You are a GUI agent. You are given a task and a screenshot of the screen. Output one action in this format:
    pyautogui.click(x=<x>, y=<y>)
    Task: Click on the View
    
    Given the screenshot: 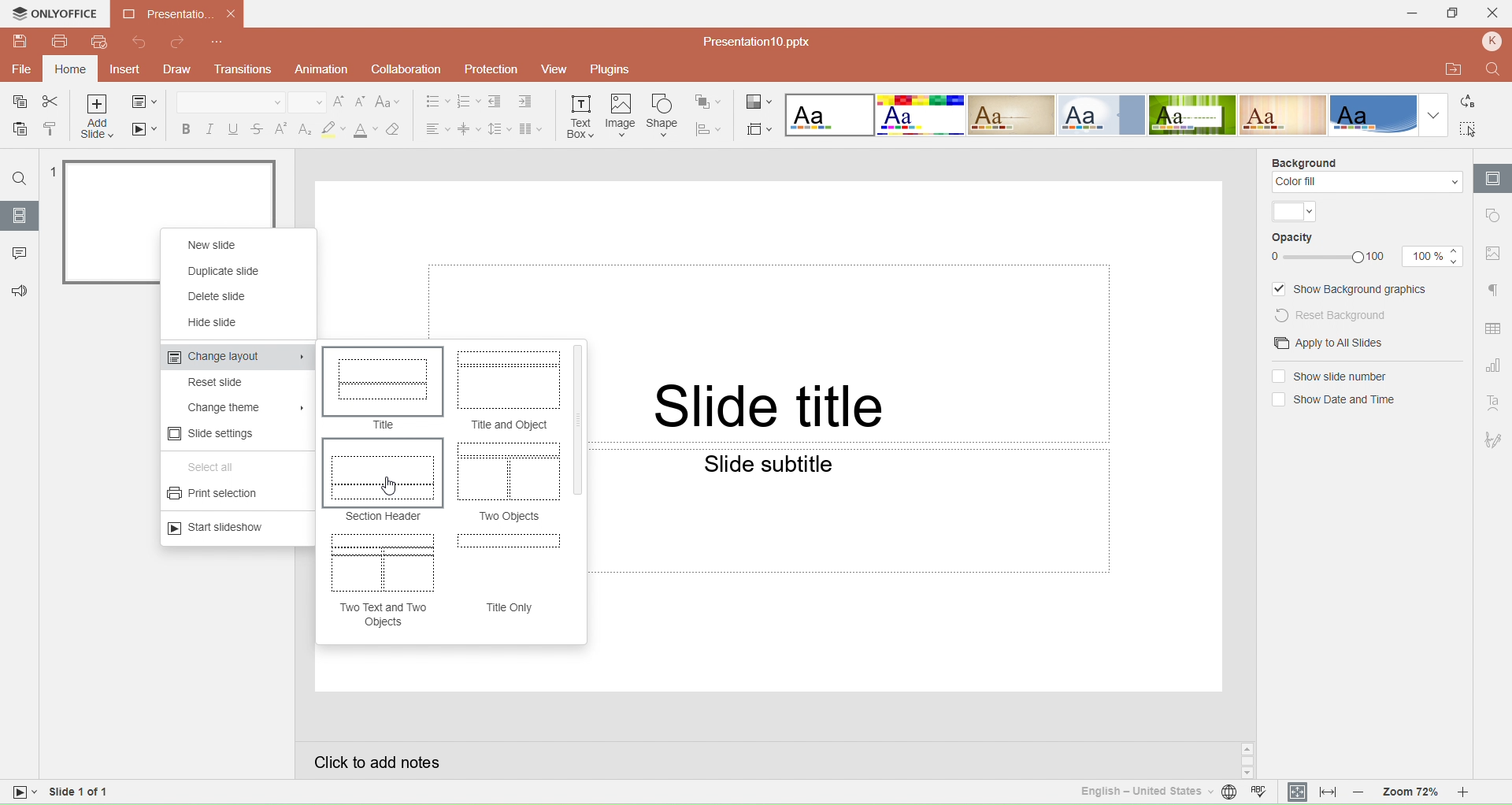 What is the action you would take?
    pyautogui.click(x=552, y=71)
    